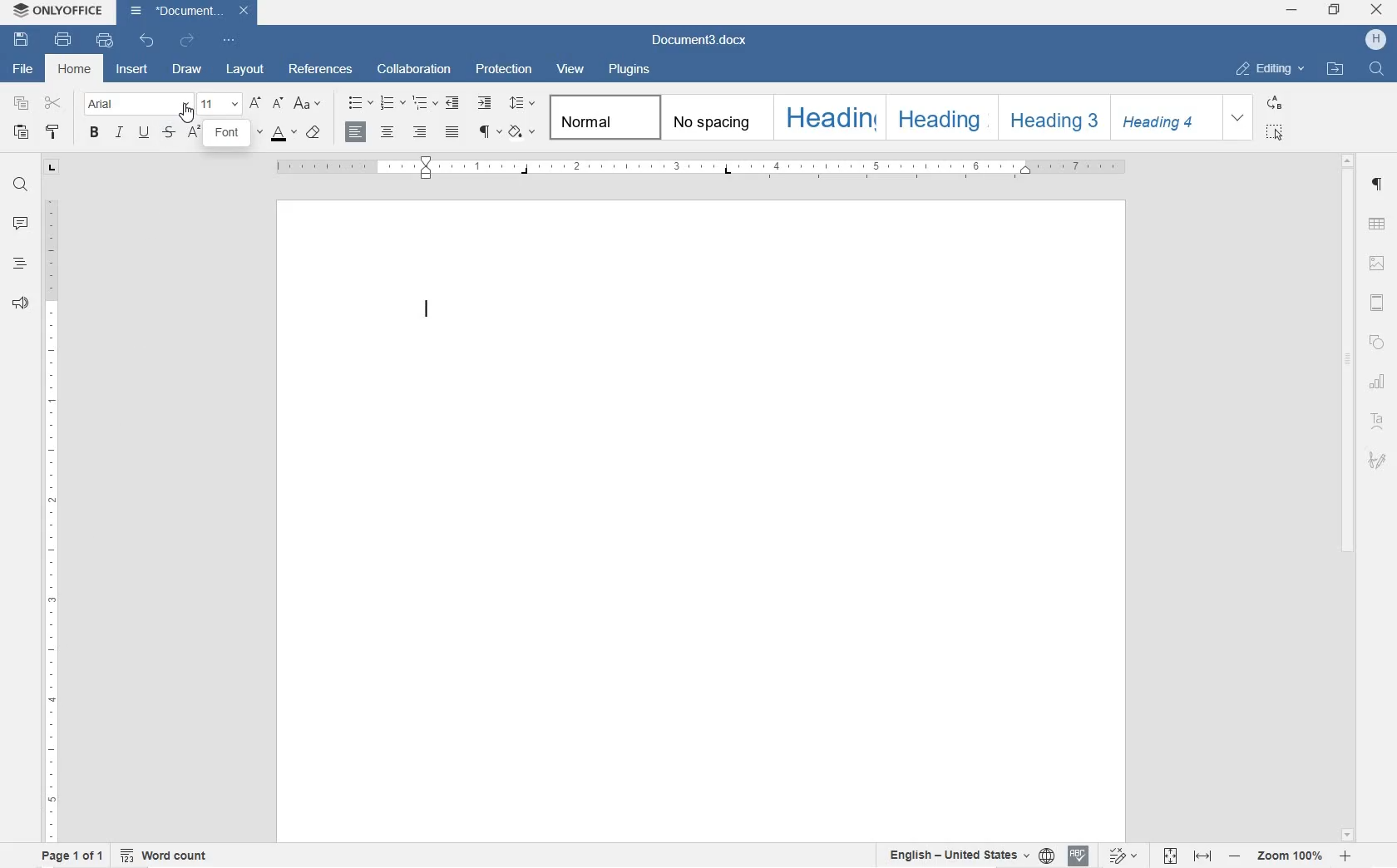 The image size is (1397, 868). What do you see at coordinates (246, 70) in the screenshot?
I see `LAYOUT` at bounding box center [246, 70].